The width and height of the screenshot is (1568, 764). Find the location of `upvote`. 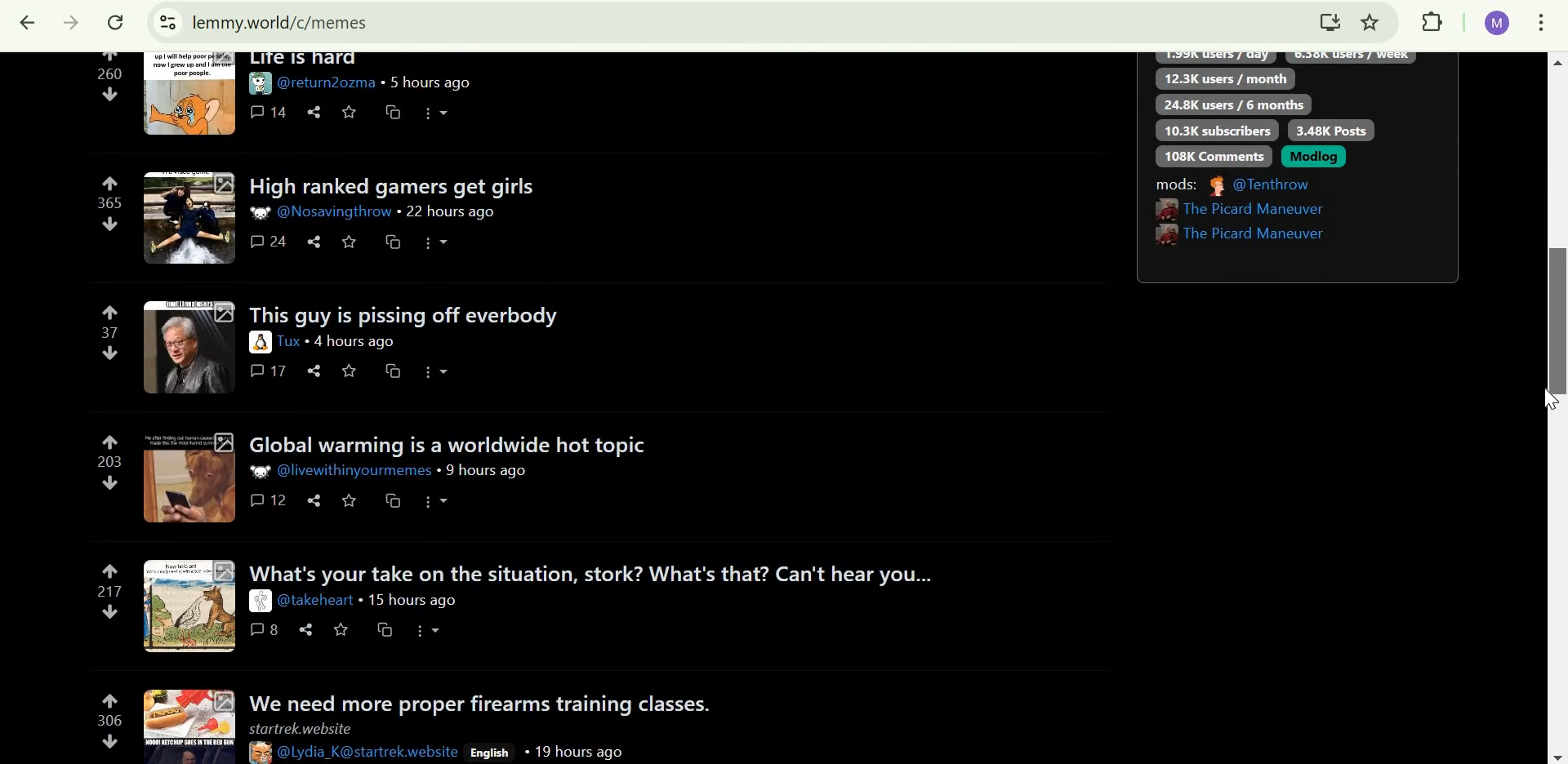

upvote is located at coordinates (111, 311).